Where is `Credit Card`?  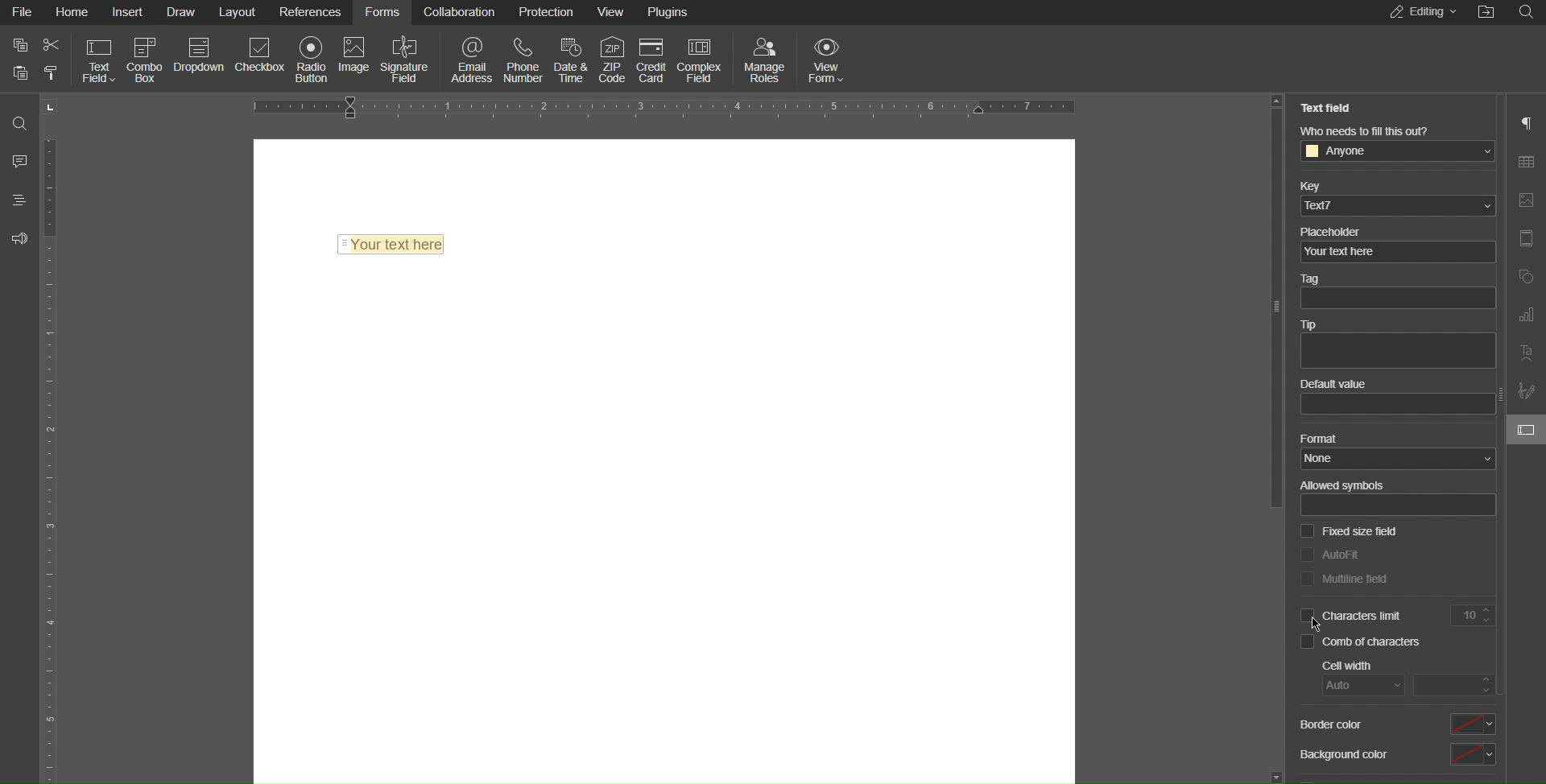 Credit Card is located at coordinates (652, 56).